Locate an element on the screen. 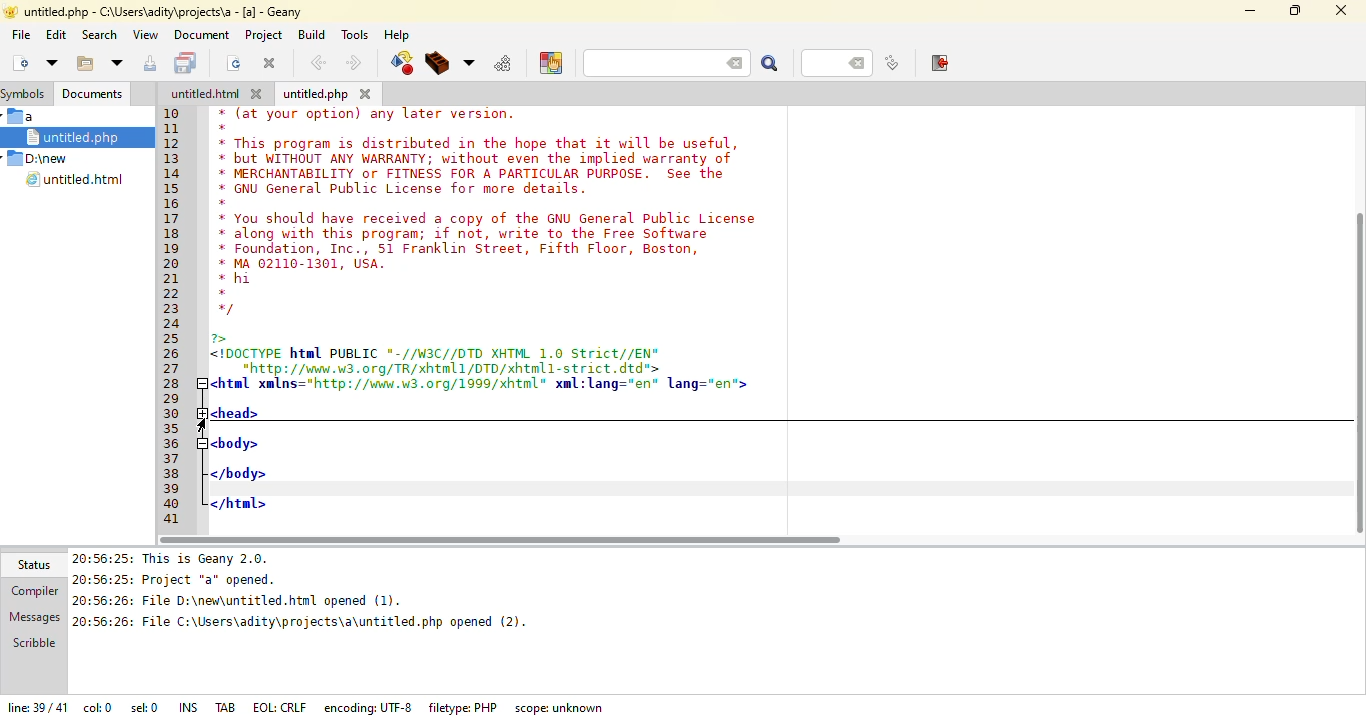 The height and width of the screenshot is (720, 1366). eol: crlf is located at coordinates (279, 706).